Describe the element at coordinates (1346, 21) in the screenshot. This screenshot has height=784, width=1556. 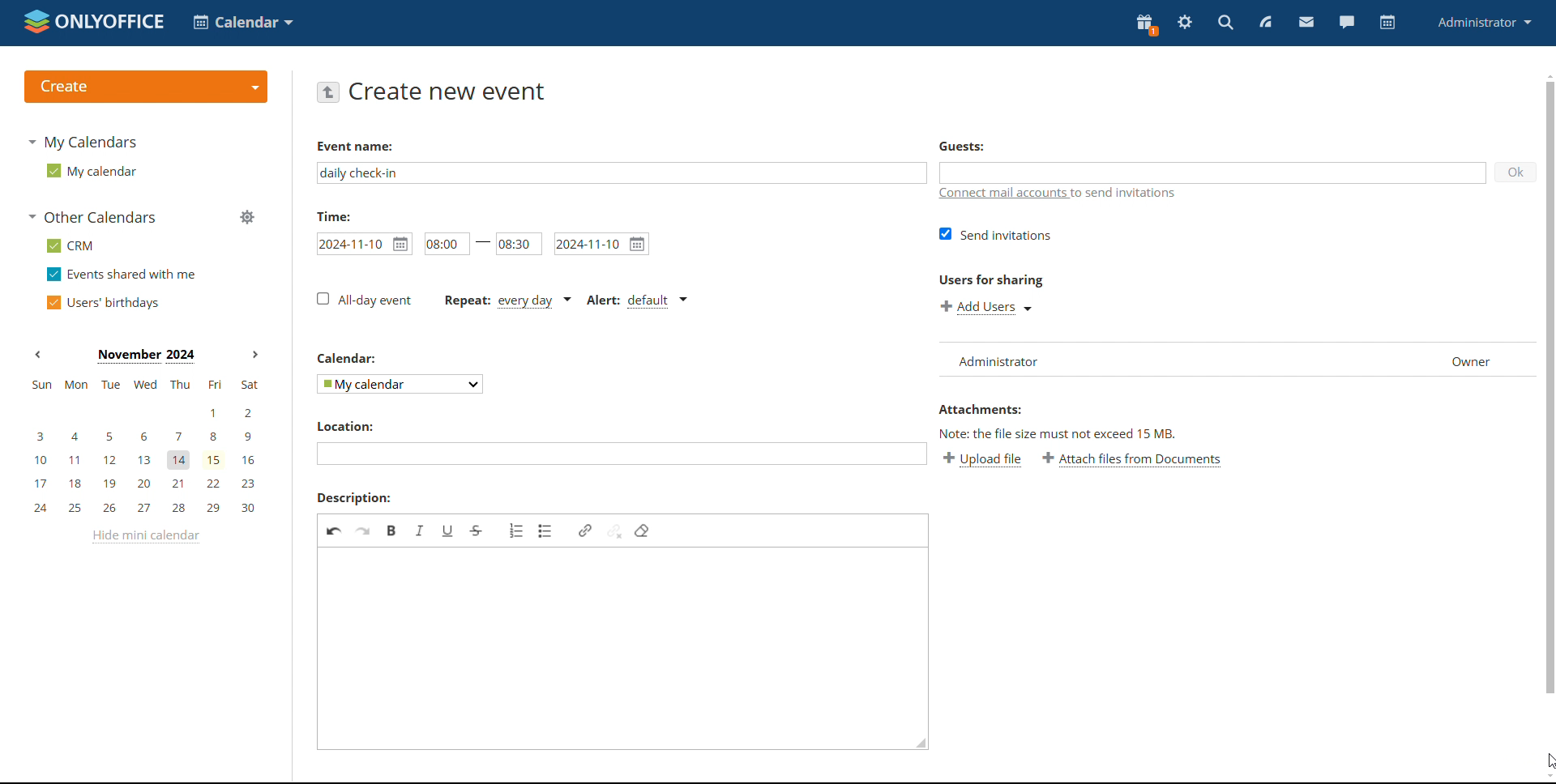
I see `chat` at that location.